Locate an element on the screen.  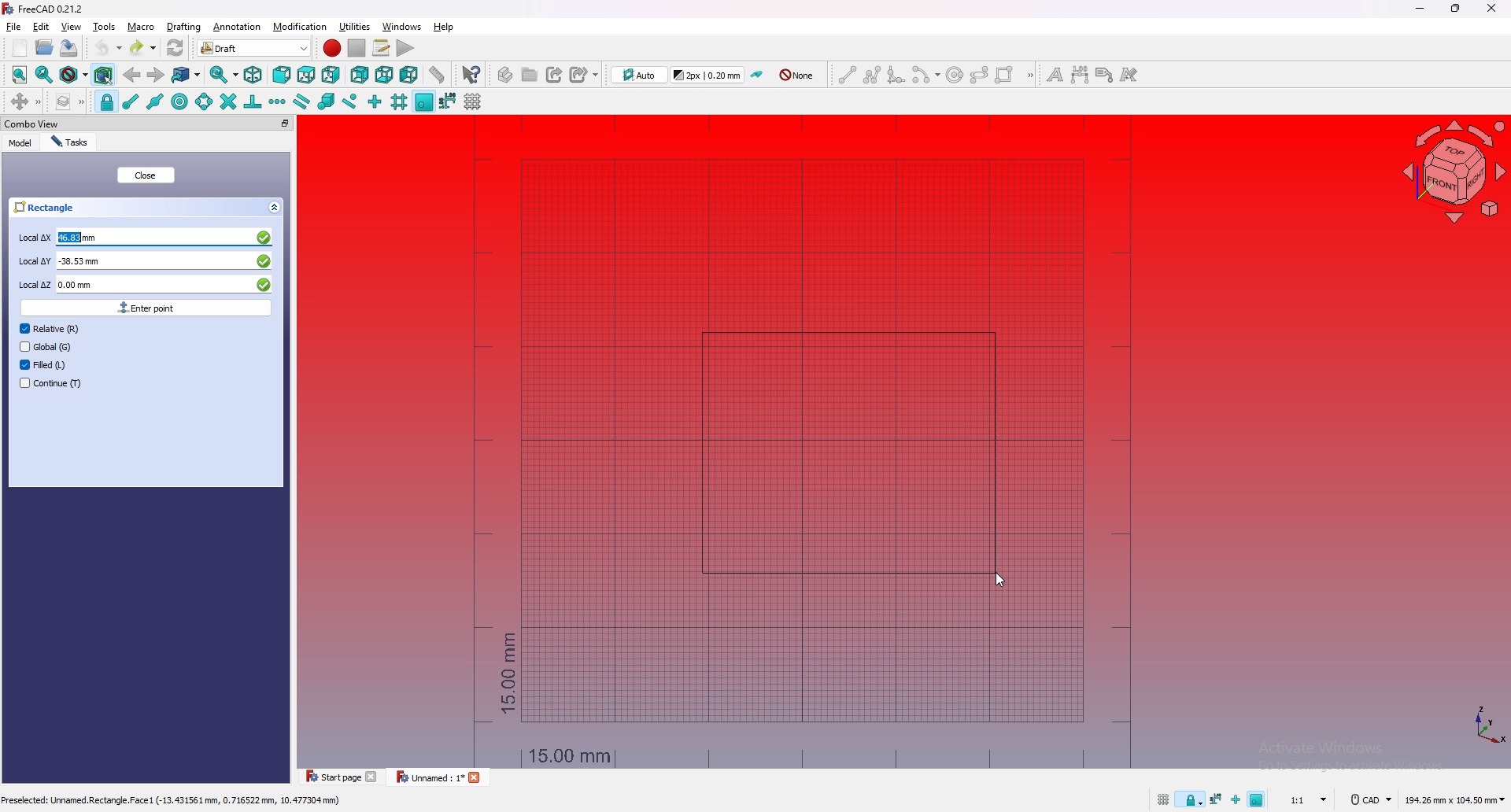
bounding box is located at coordinates (104, 76).